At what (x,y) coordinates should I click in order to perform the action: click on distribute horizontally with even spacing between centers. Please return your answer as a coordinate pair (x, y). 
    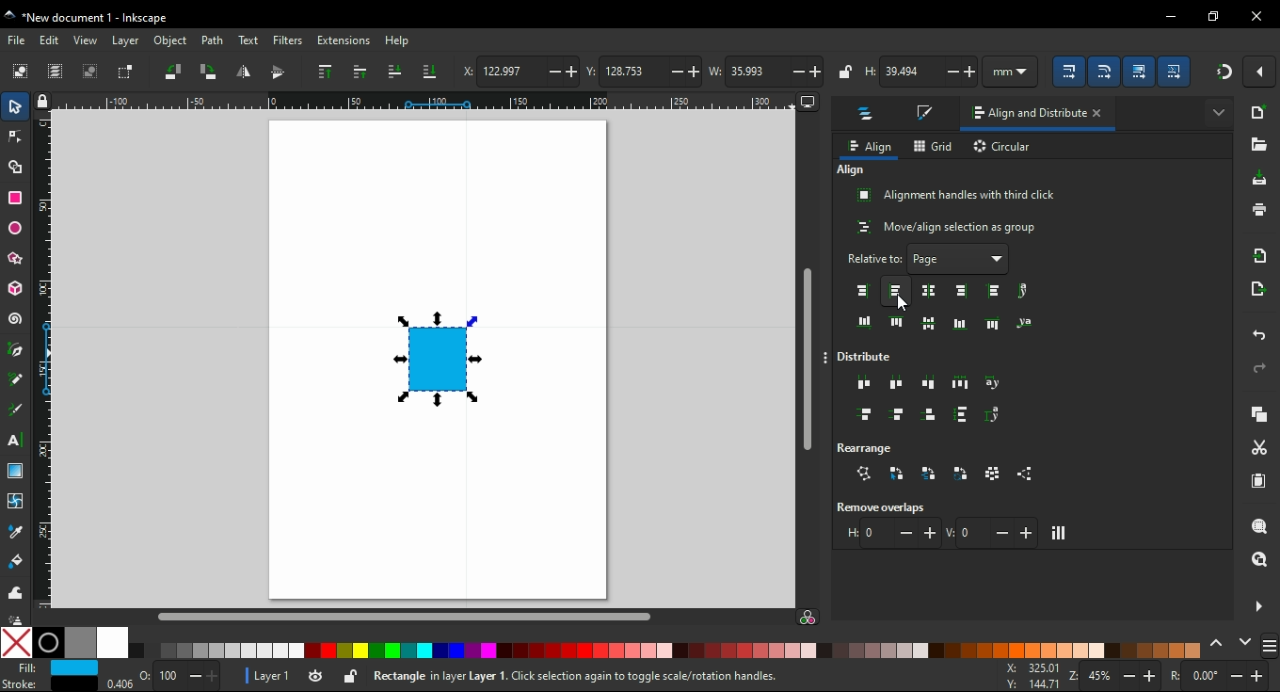
    Looking at the image, I should click on (897, 385).